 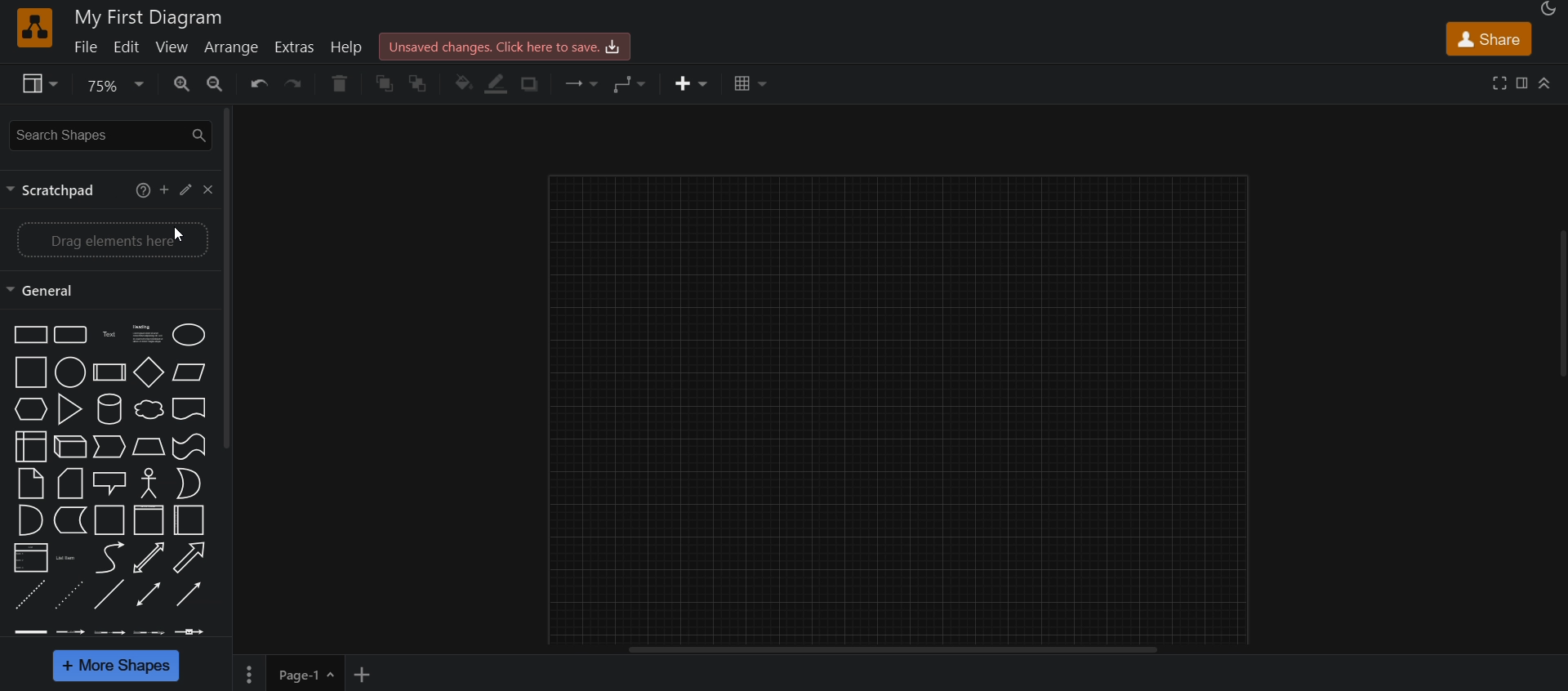 What do you see at coordinates (185, 84) in the screenshot?
I see `zoom in` at bounding box center [185, 84].